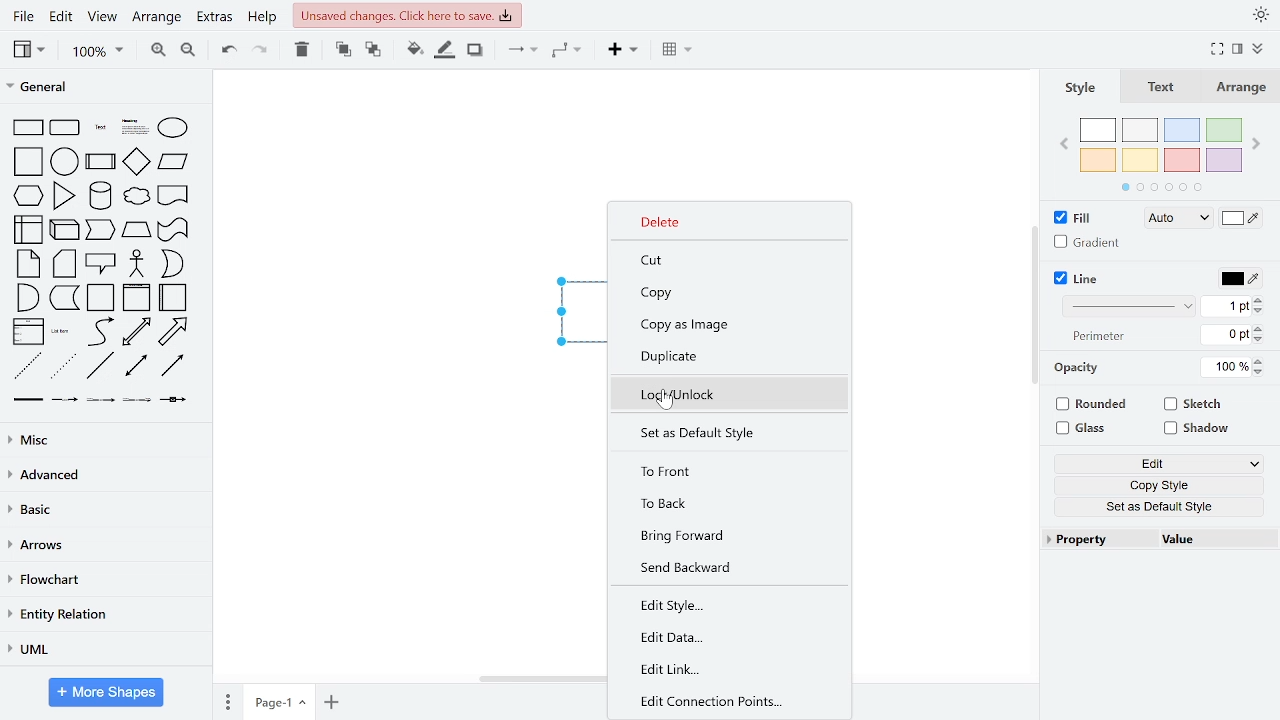  What do you see at coordinates (65, 160) in the screenshot?
I see `circle` at bounding box center [65, 160].